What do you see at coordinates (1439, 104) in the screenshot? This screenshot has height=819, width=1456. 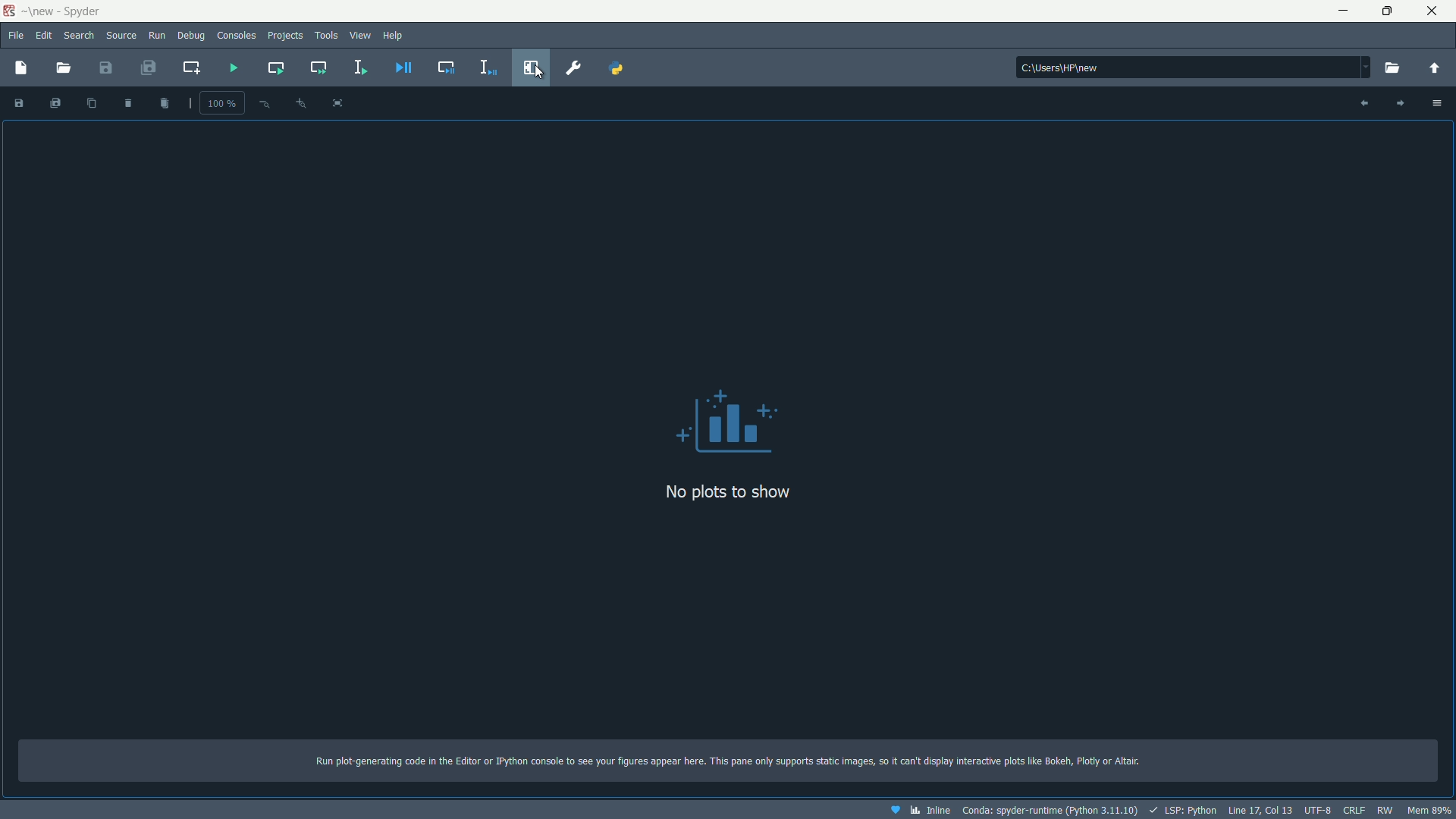 I see `options` at bounding box center [1439, 104].